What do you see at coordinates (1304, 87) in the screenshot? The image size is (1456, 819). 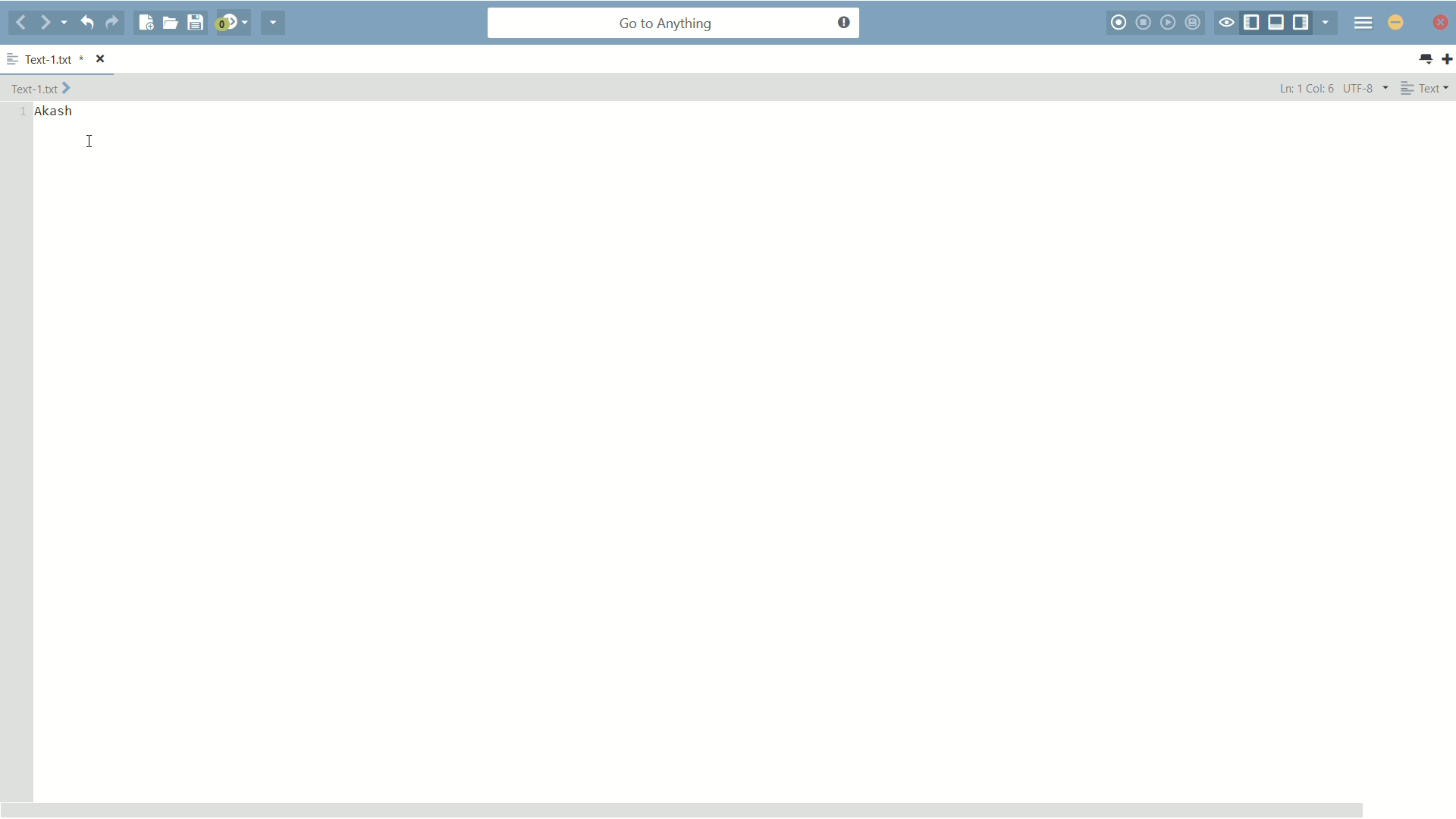 I see `Line 1 Column 6` at bounding box center [1304, 87].